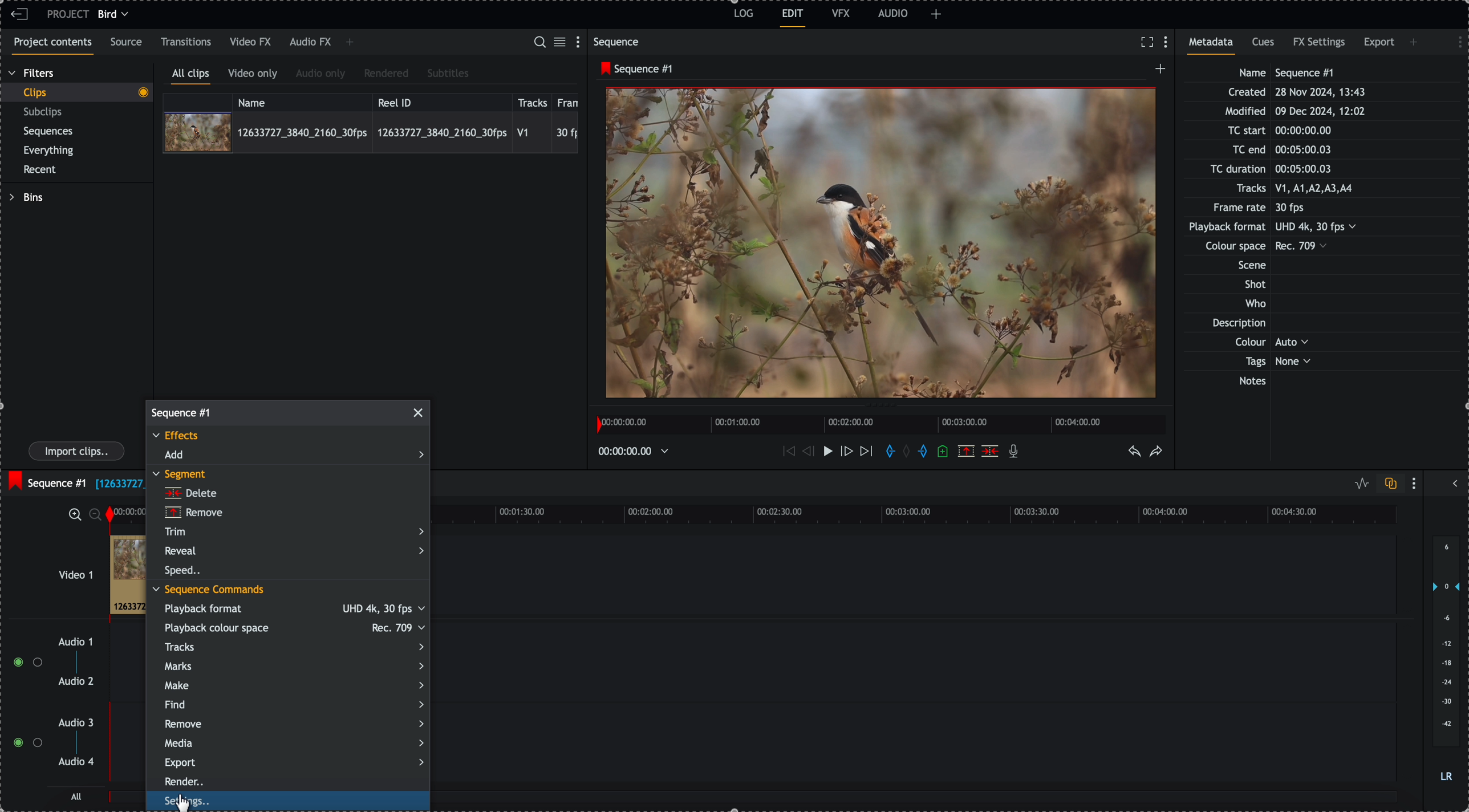  Describe the element at coordinates (189, 781) in the screenshot. I see `render` at that location.